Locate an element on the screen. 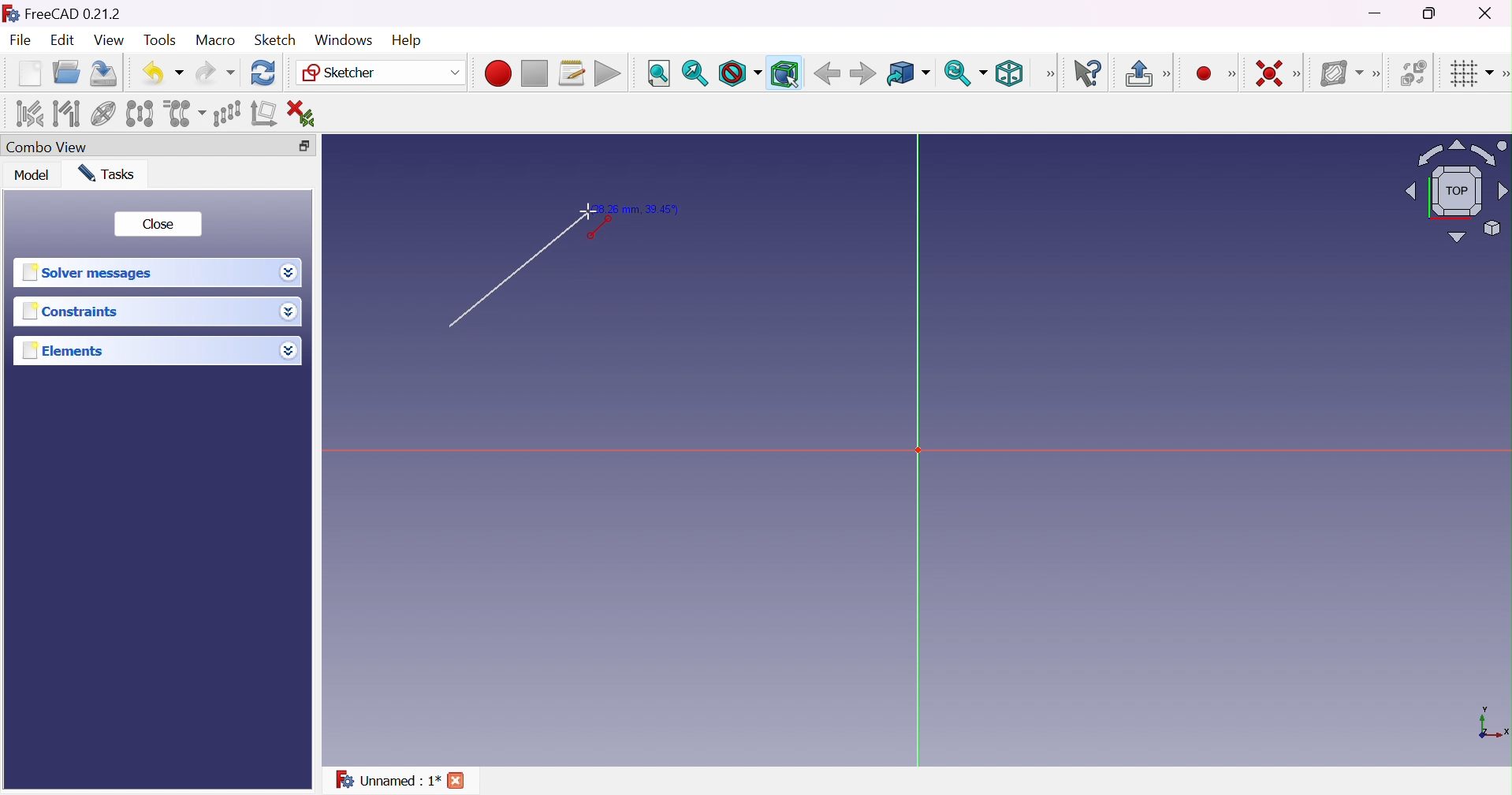  New is located at coordinates (29, 76).